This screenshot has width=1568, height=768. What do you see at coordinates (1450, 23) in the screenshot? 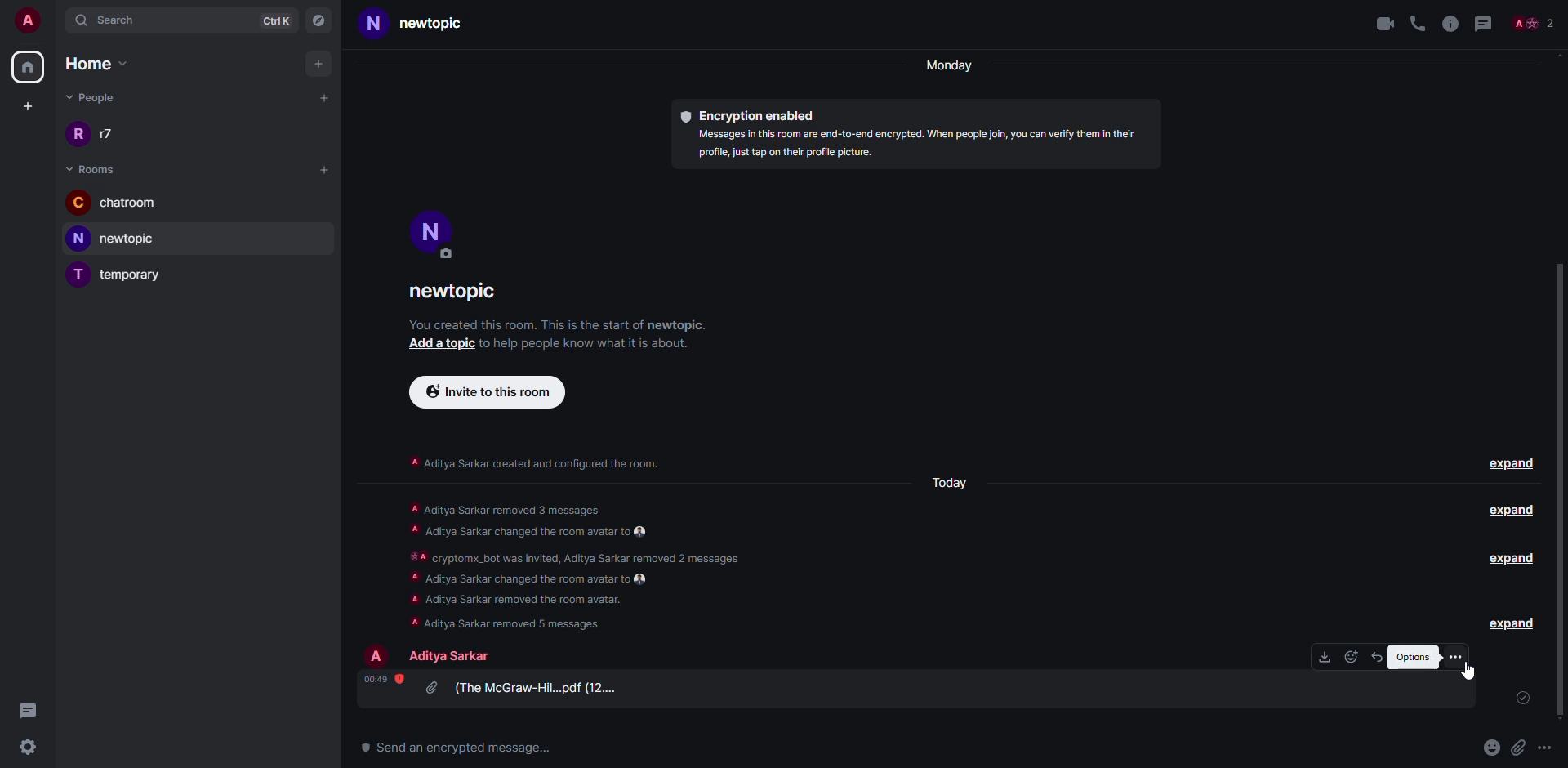
I see `info` at bounding box center [1450, 23].